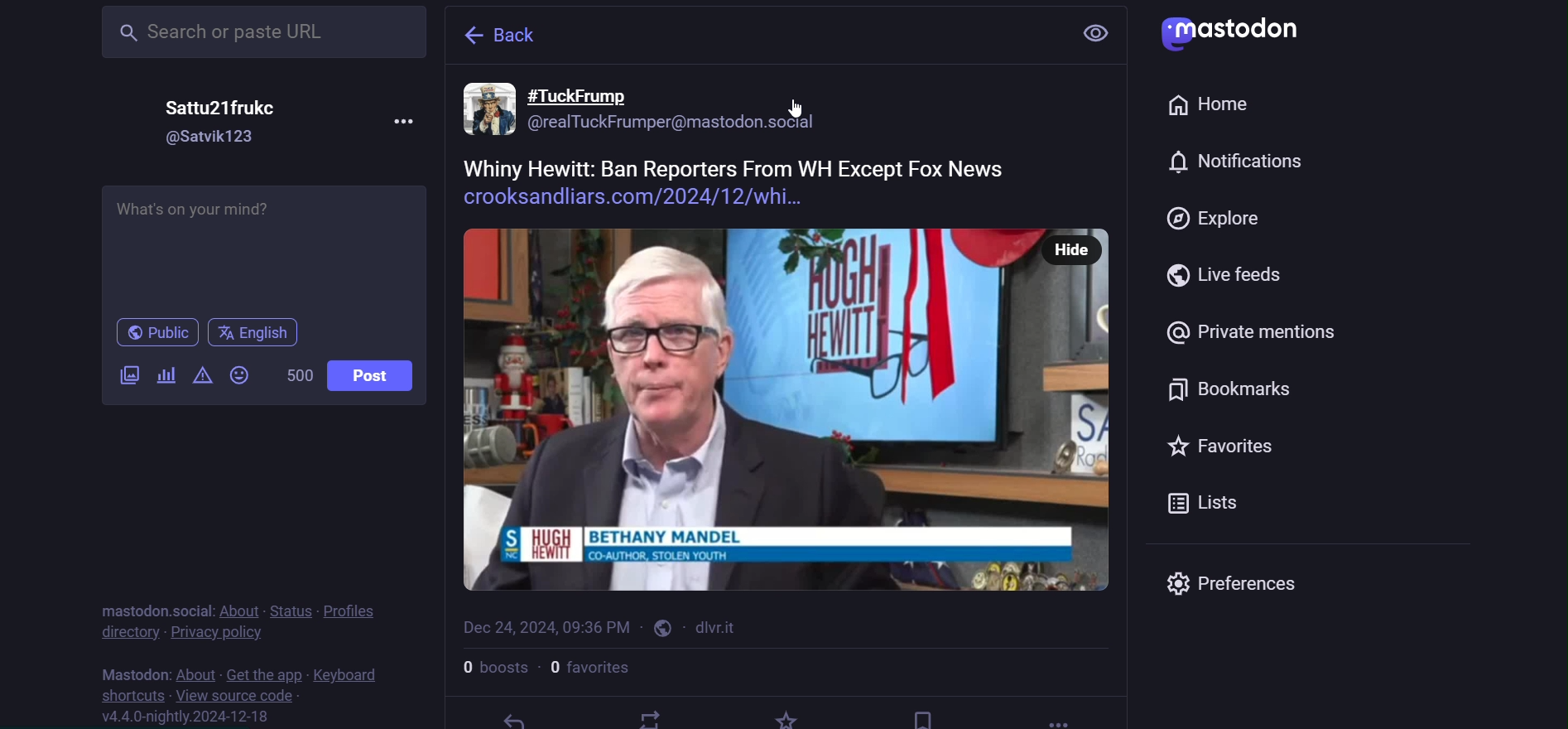 Image resolution: width=1568 pixels, height=729 pixels. I want to click on favorite, so click(1216, 447).